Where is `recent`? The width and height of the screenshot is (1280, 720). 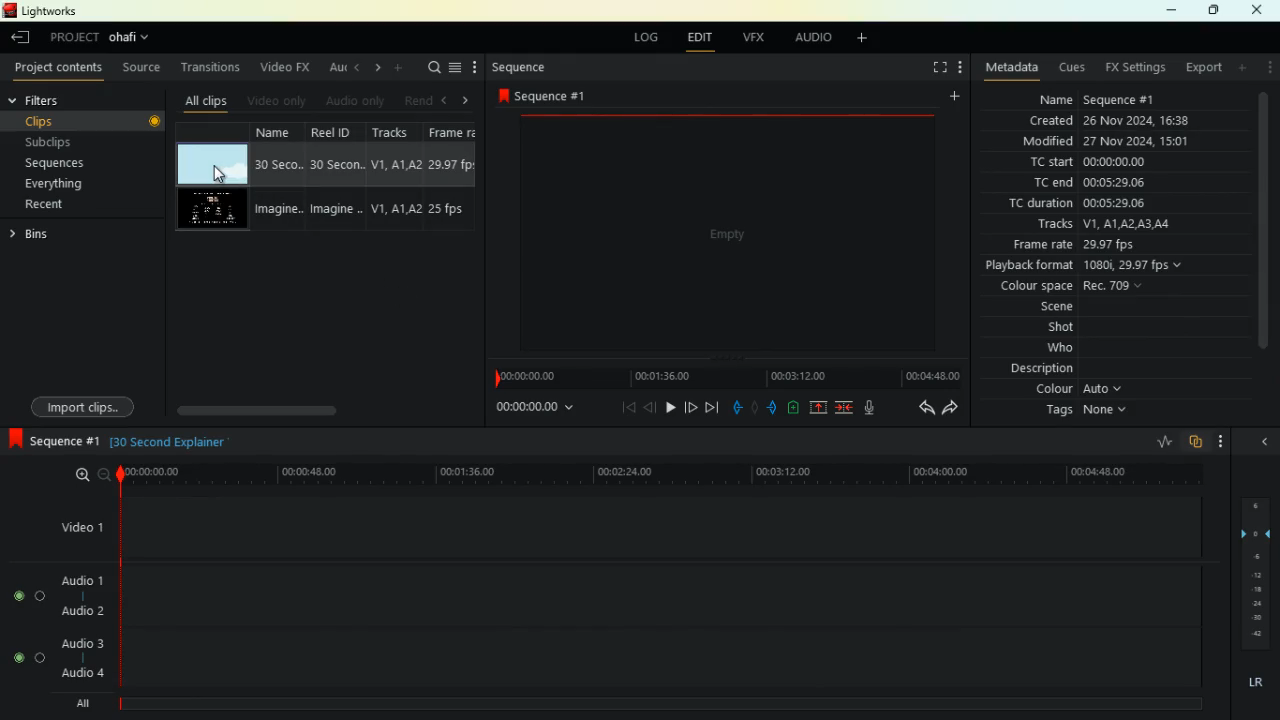 recent is located at coordinates (56, 205).